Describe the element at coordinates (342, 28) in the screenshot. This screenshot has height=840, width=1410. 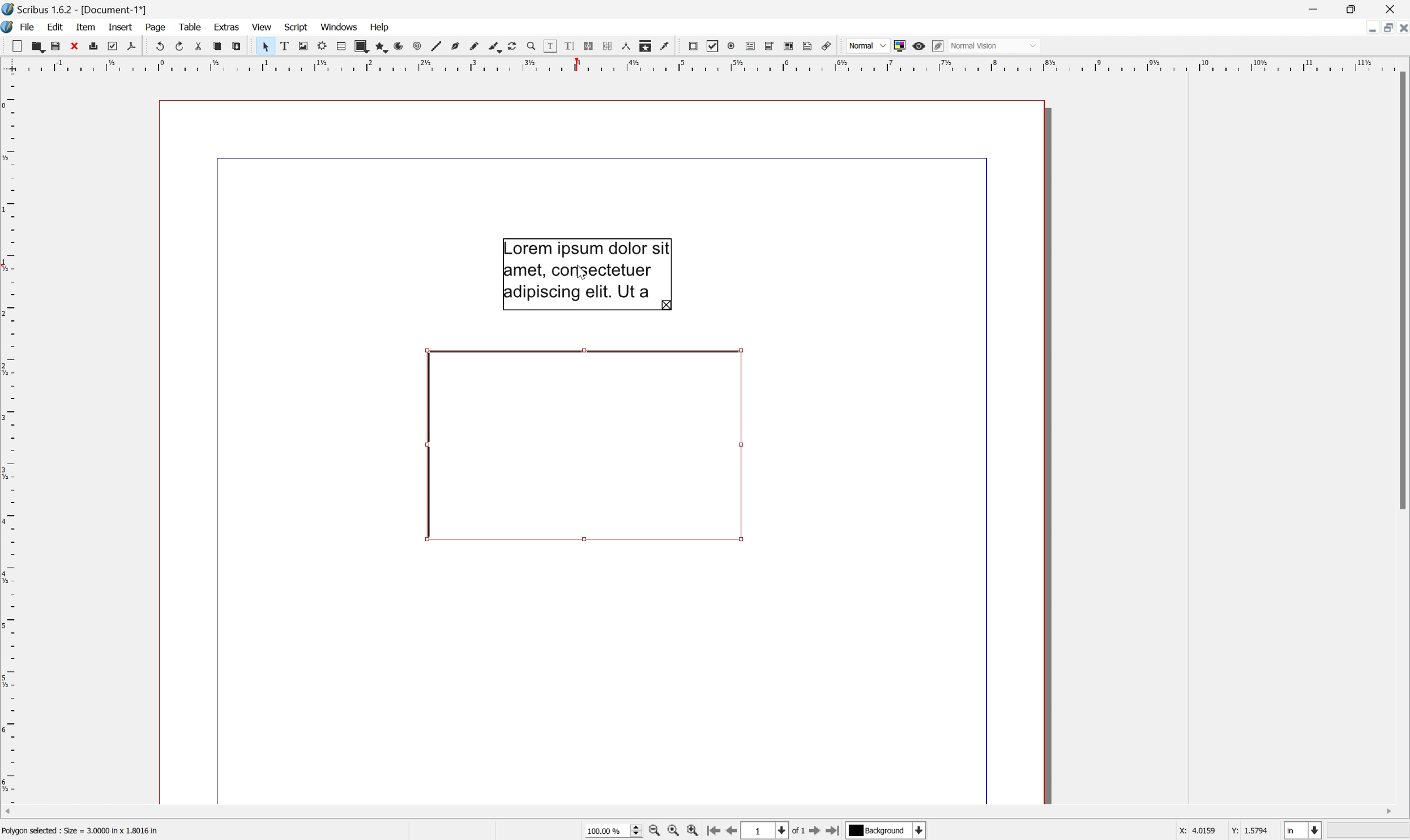
I see `Windows` at that location.